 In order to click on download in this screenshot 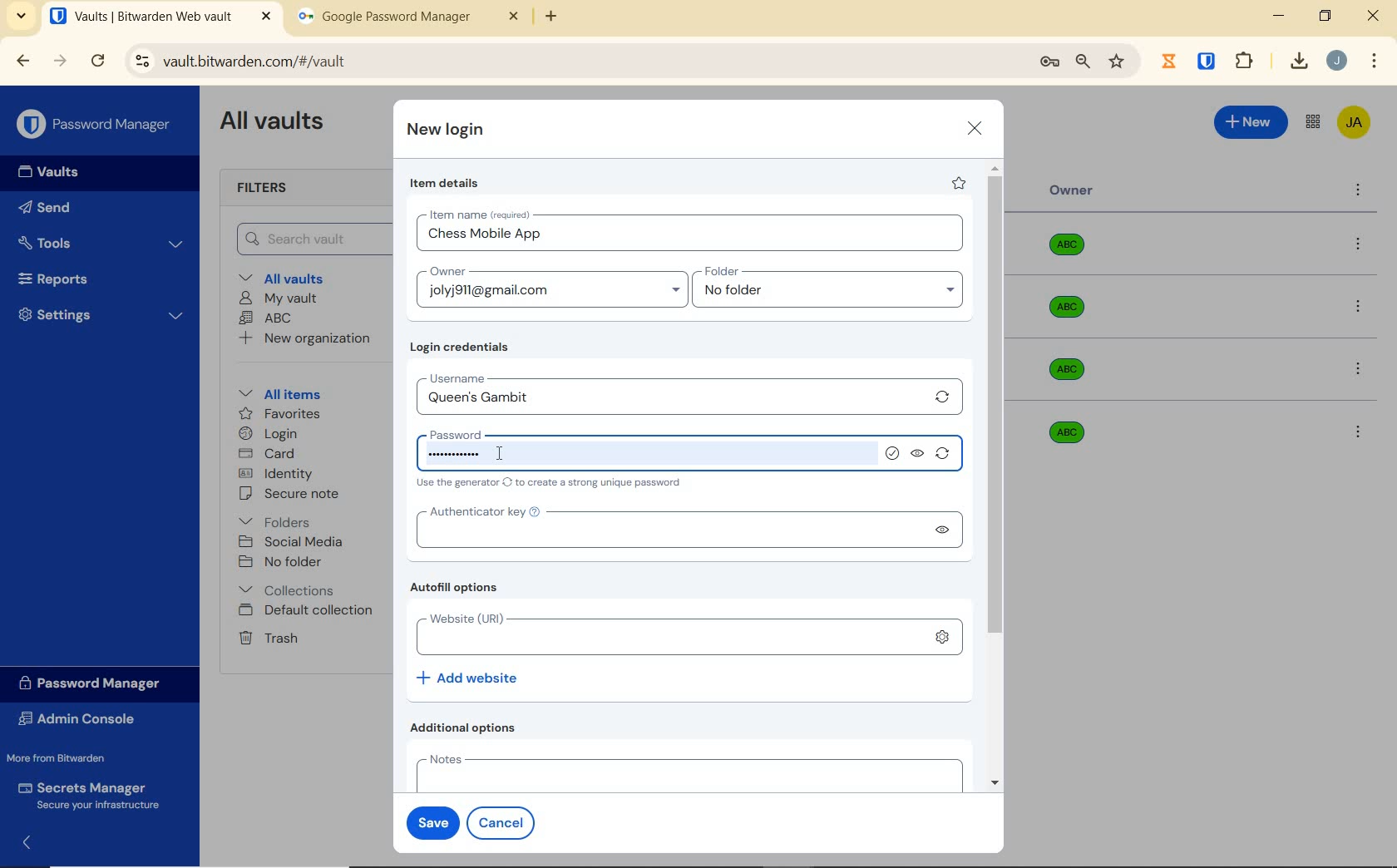, I will do `click(1298, 61)`.